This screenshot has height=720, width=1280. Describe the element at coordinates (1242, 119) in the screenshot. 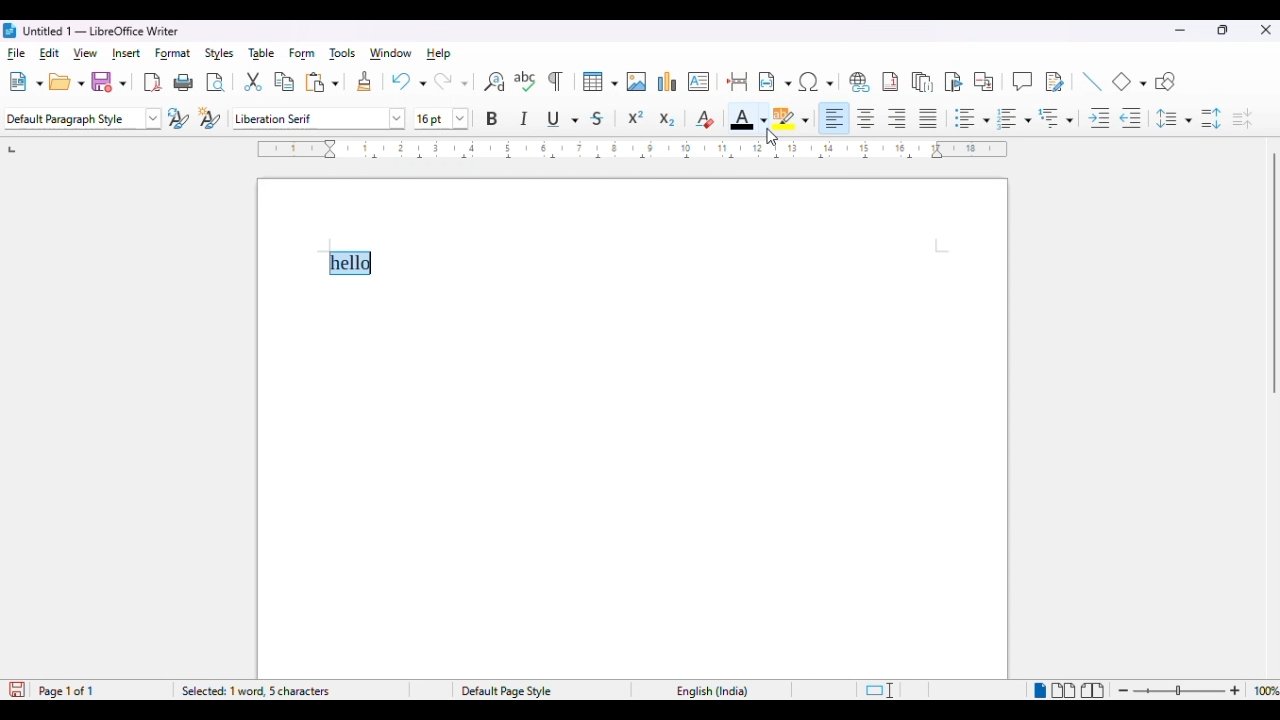

I see `decrease paragraph spacing` at that location.